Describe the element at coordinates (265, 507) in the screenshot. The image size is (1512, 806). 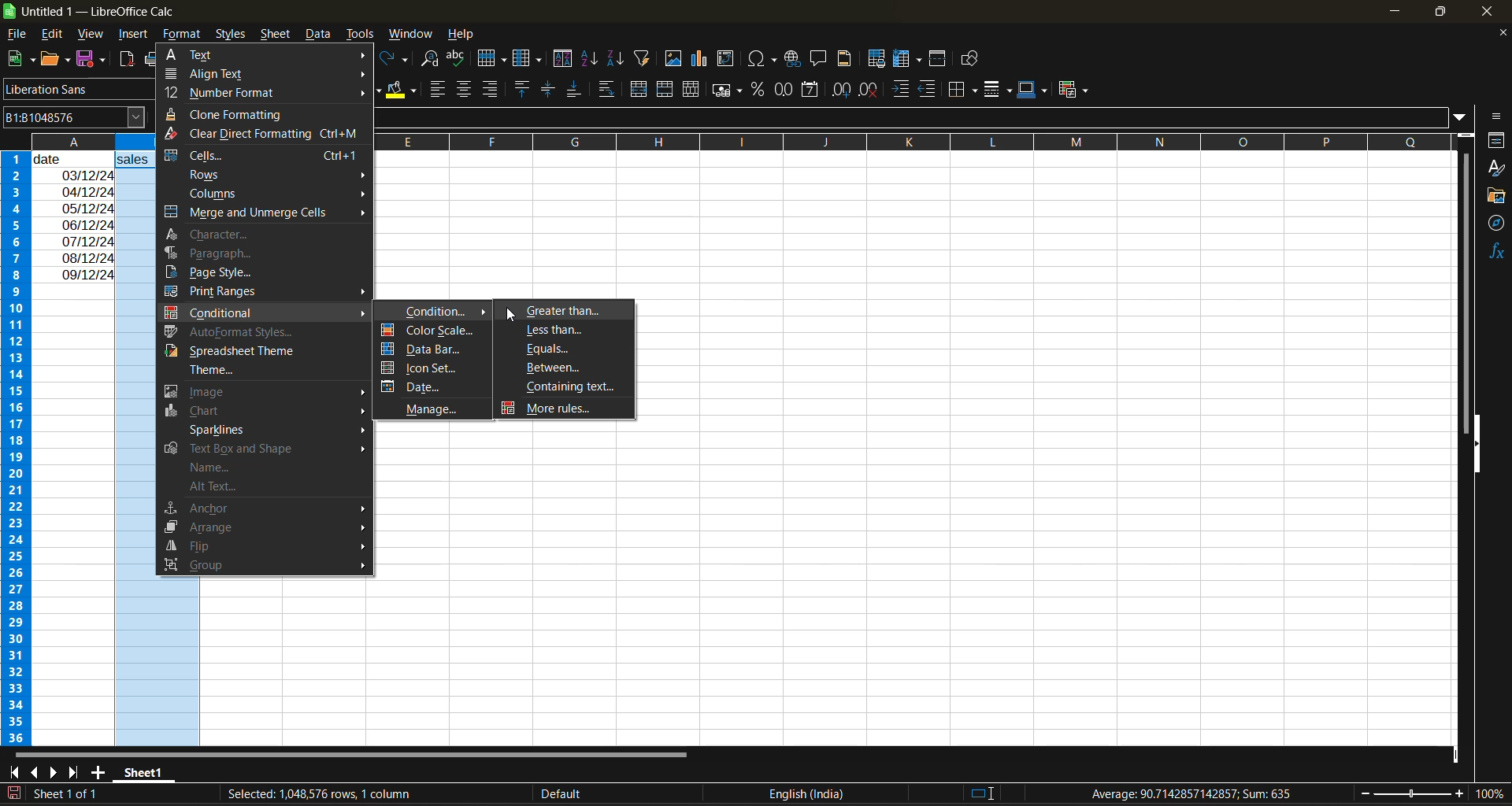
I see `anchor` at that location.